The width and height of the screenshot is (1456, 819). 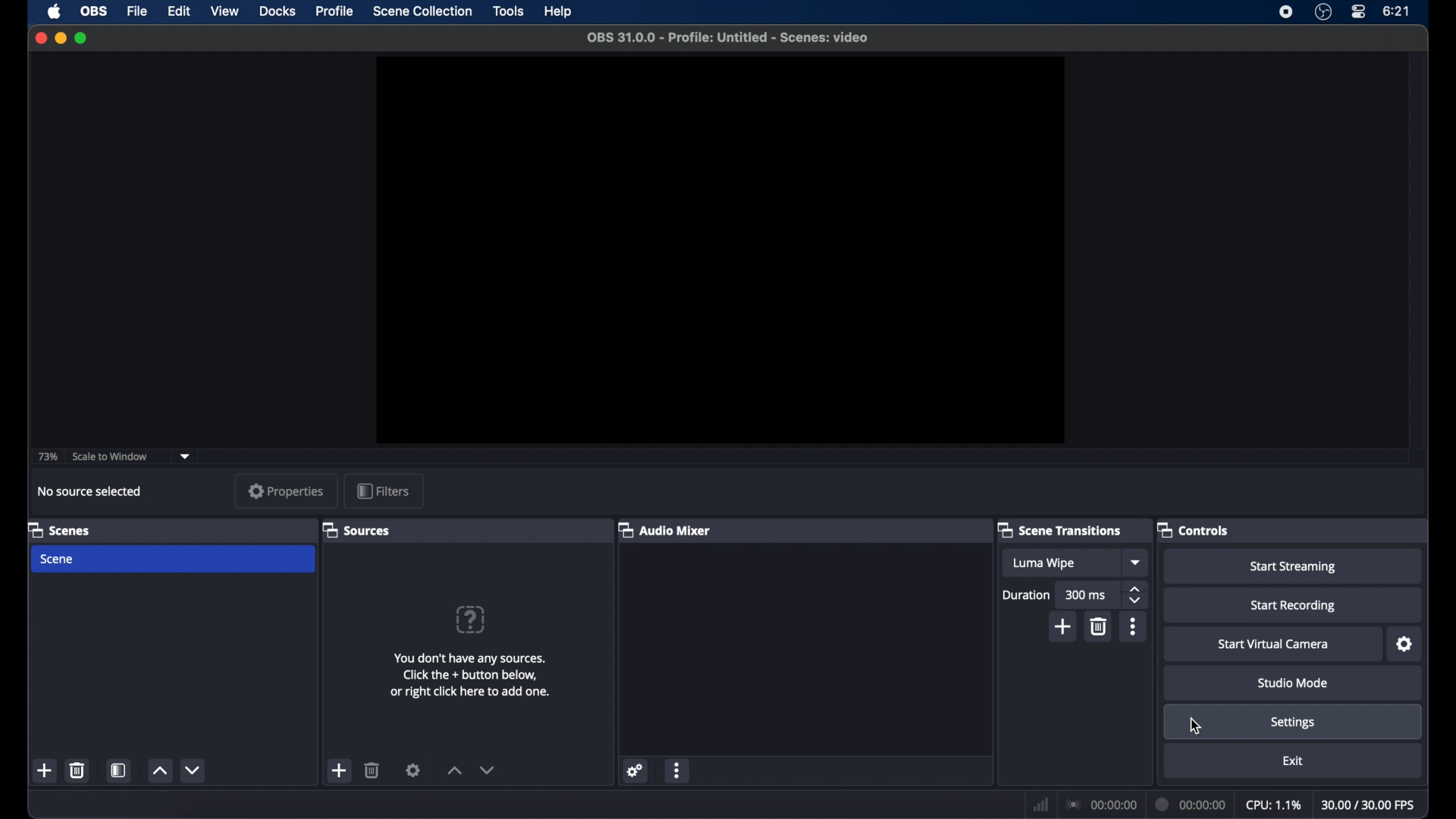 What do you see at coordinates (186, 457) in the screenshot?
I see `dropdown` at bounding box center [186, 457].